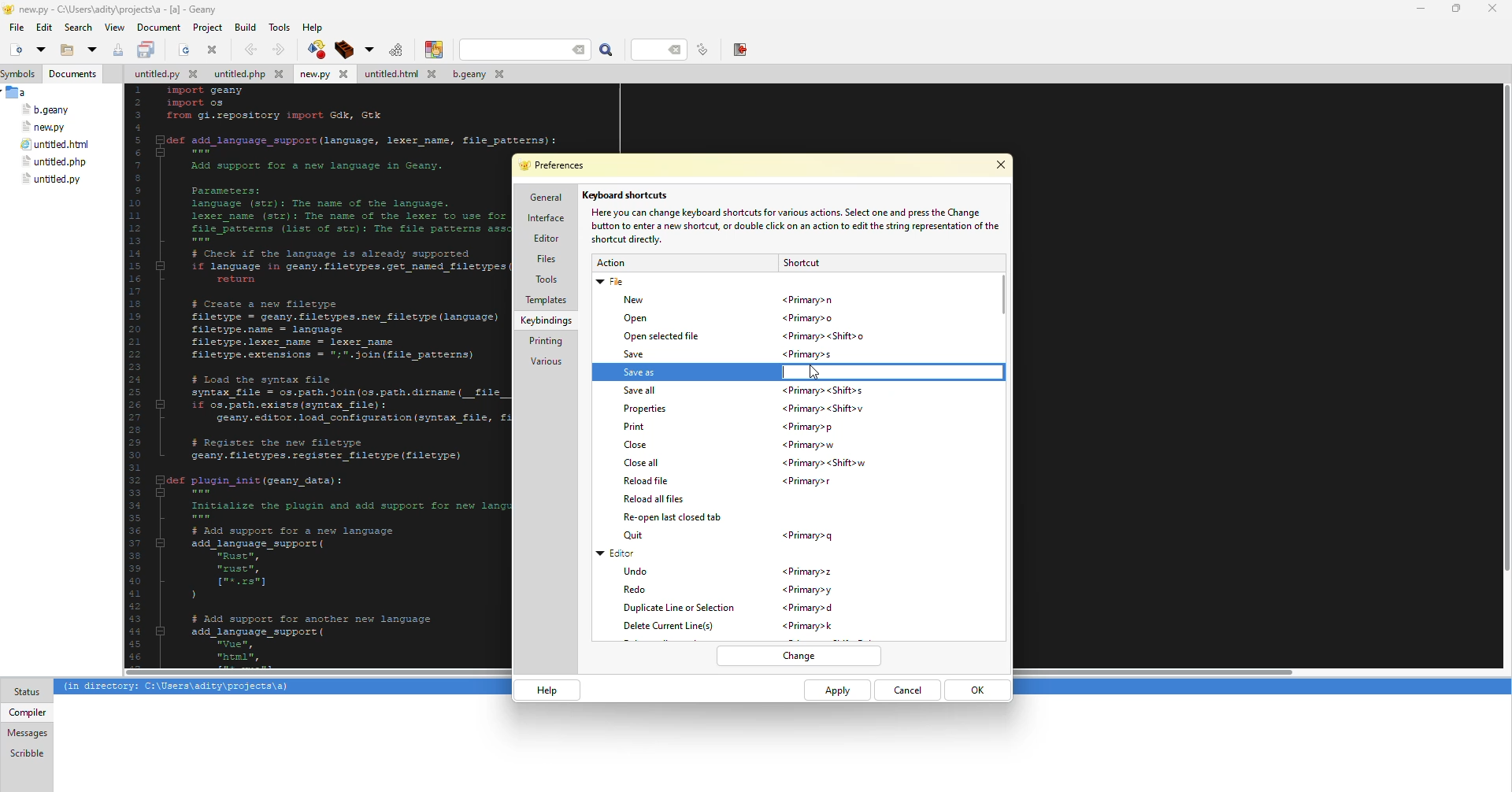 This screenshot has height=792, width=1512. Describe the element at coordinates (342, 50) in the screenshot. I see `build` at that location.